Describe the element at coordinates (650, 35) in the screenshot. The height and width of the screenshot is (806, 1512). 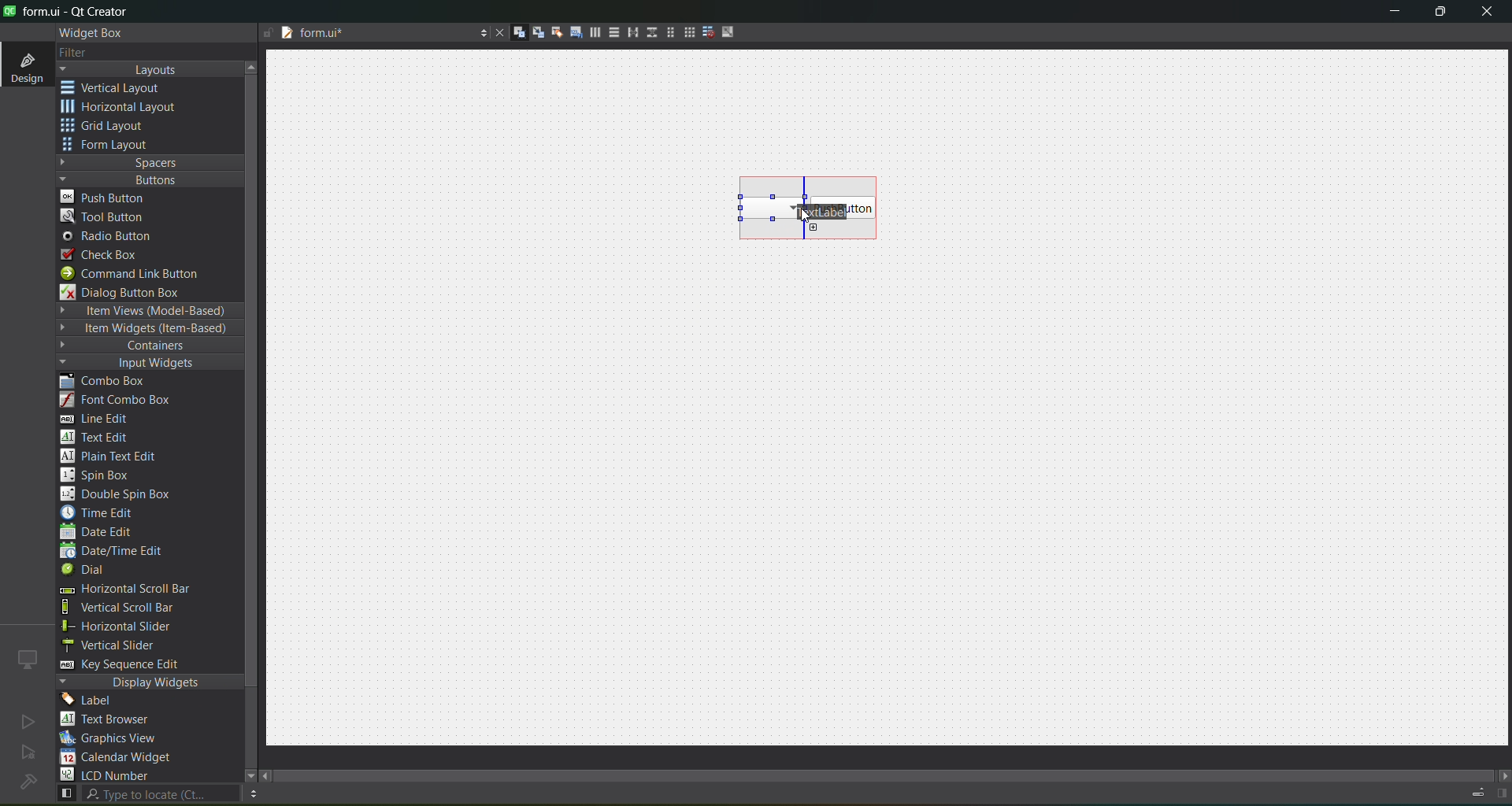
I see `vertical splitter` at that location.